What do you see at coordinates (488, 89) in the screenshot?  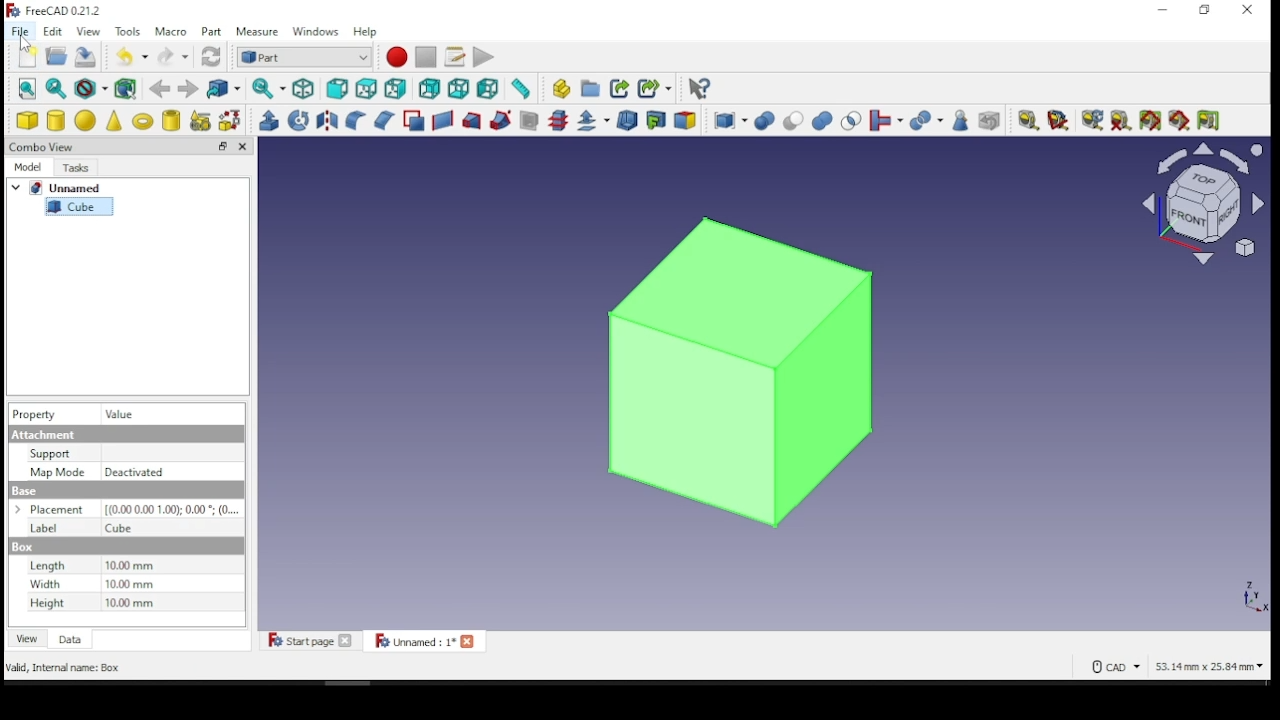 I see `left` at bounding box center [488, 89].